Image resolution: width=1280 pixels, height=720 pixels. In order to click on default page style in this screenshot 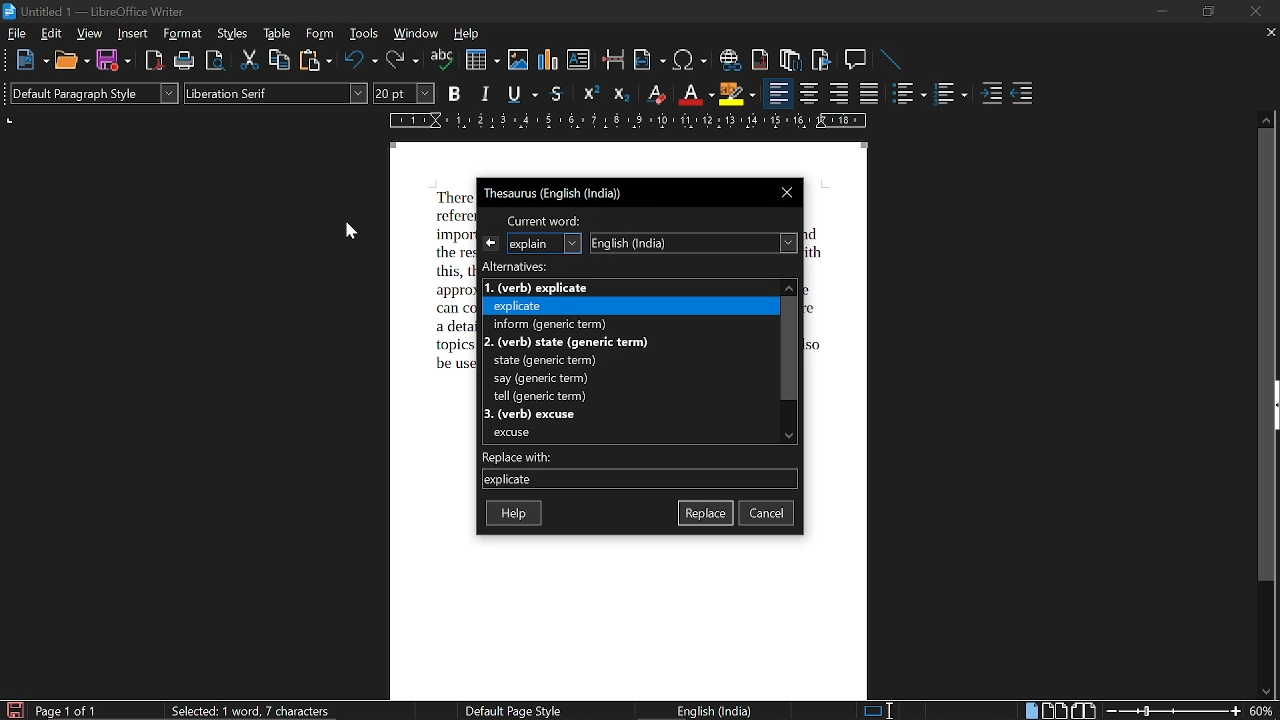, I will do `click(512, 711)`.